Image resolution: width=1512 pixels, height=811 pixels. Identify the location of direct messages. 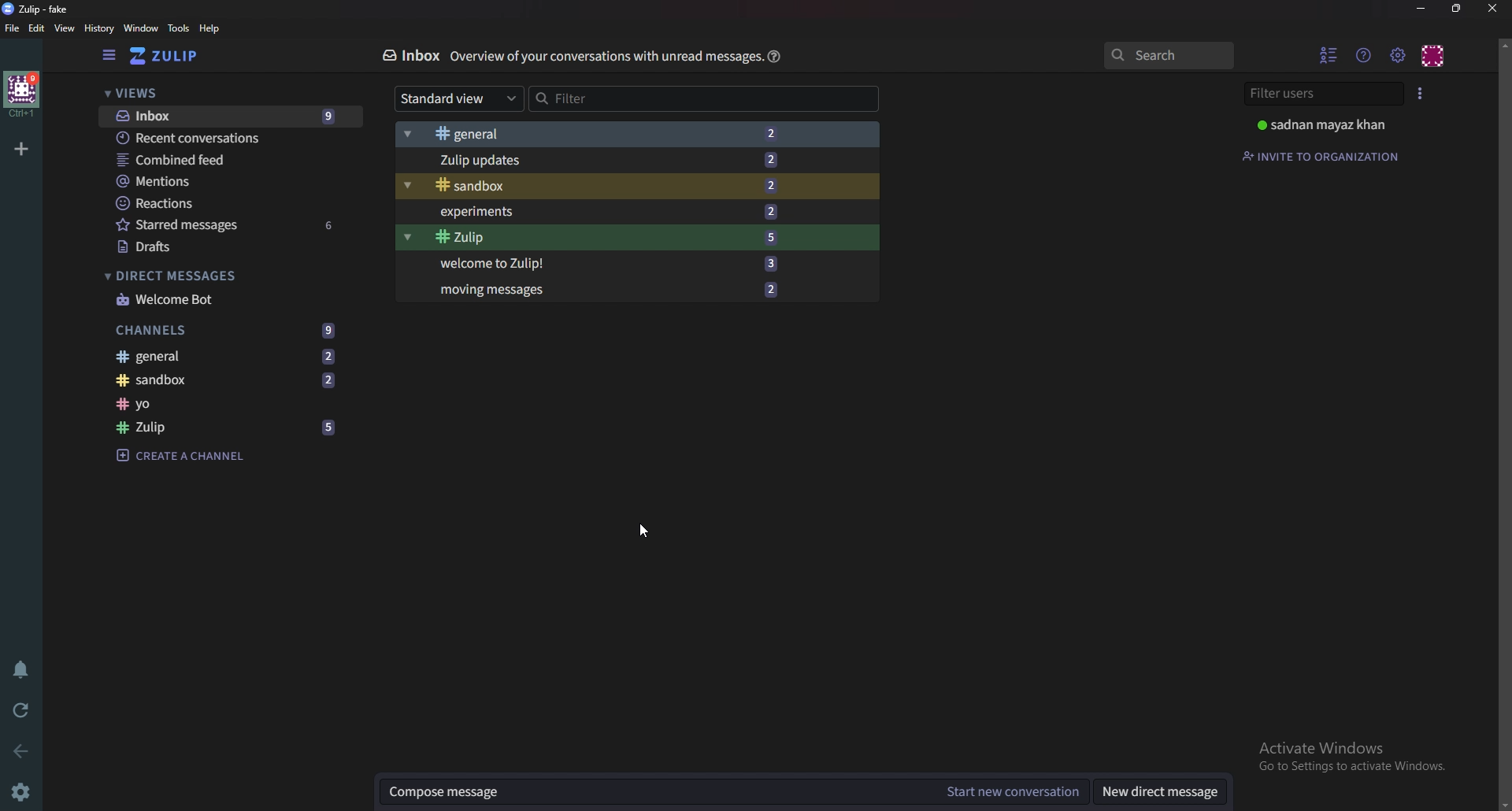
(213, 276).